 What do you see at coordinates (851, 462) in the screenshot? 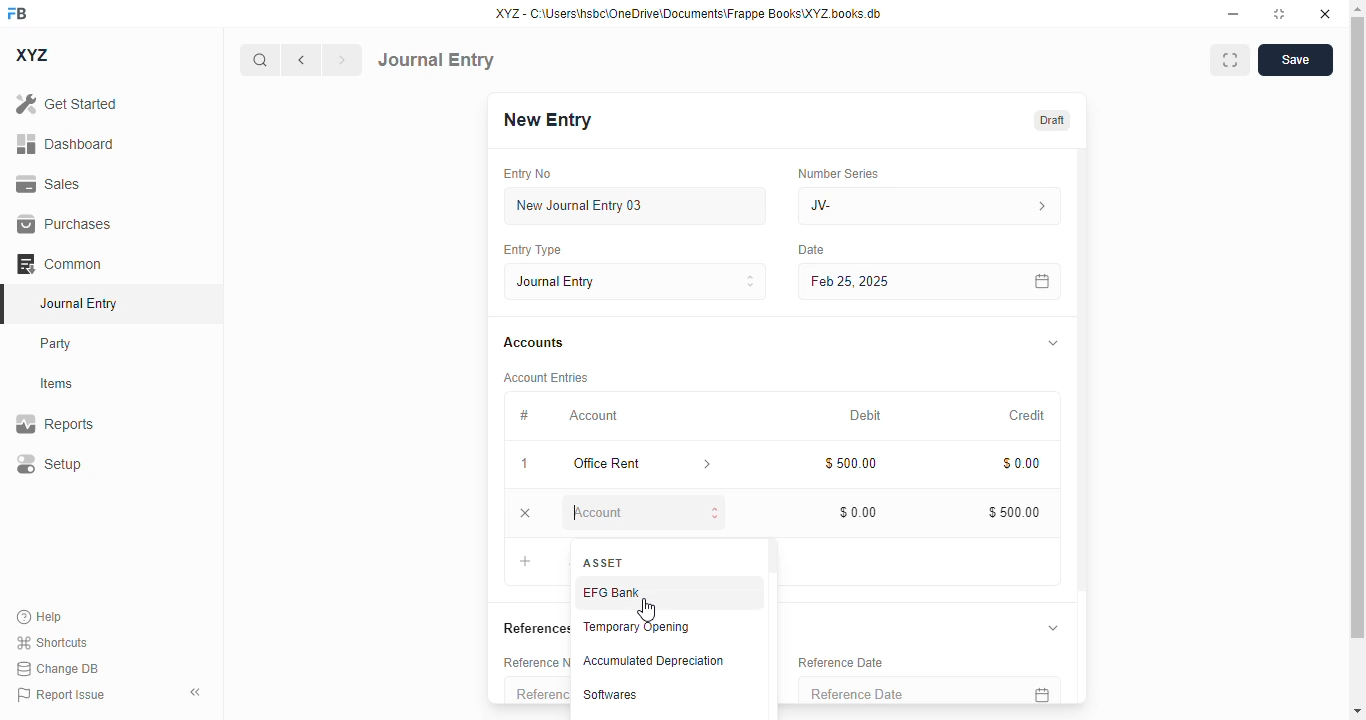
I see `$500.00` at bounding box center [851, 462].